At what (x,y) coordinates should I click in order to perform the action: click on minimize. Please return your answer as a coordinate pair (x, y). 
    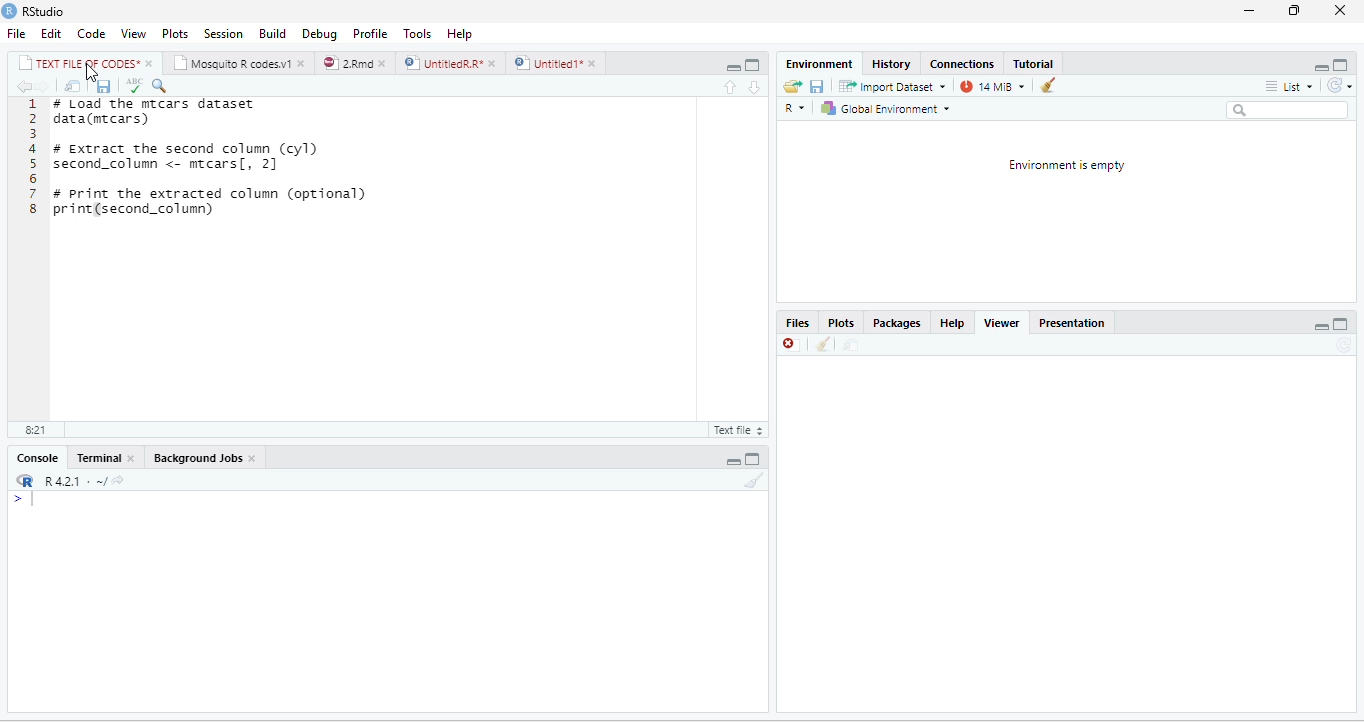
    Looking at the image, I should click on (735, 457).